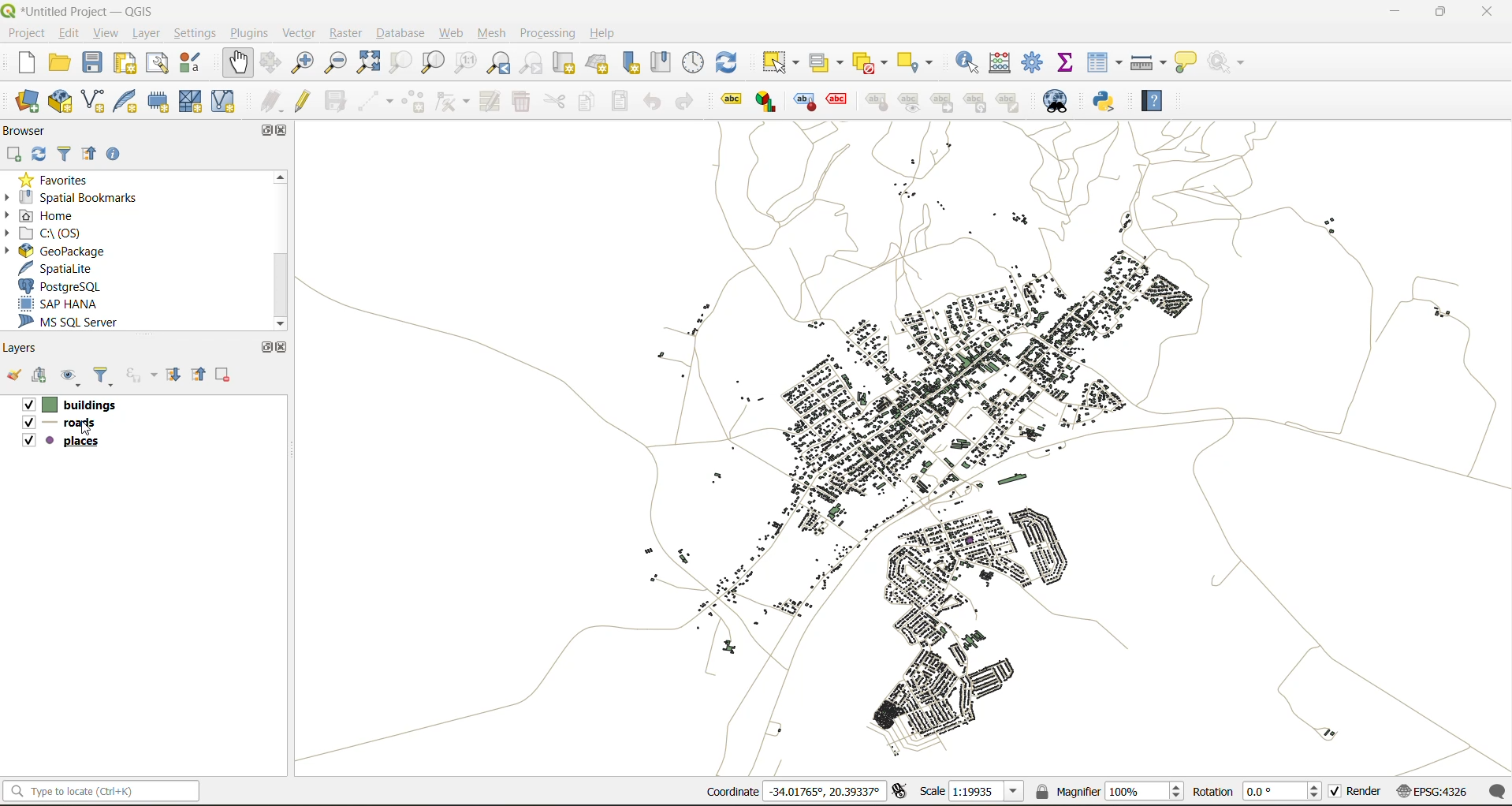 The width and height of the screenshot is (1512, 806). Describe the element at coordinates (732, 62) in the screenshot. I see `refresh` at that location.